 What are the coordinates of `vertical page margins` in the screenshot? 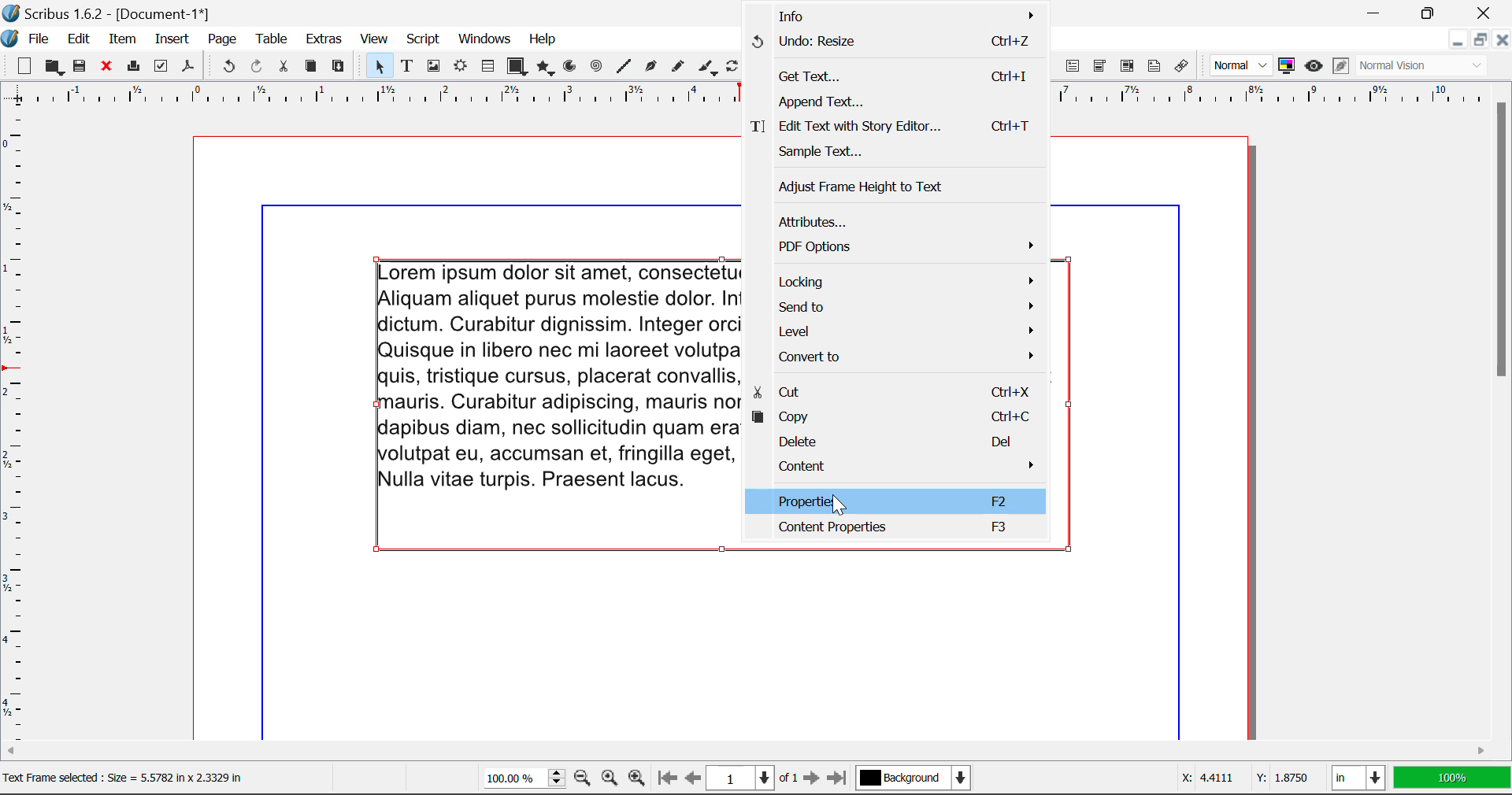 It's located at (1270, 93).